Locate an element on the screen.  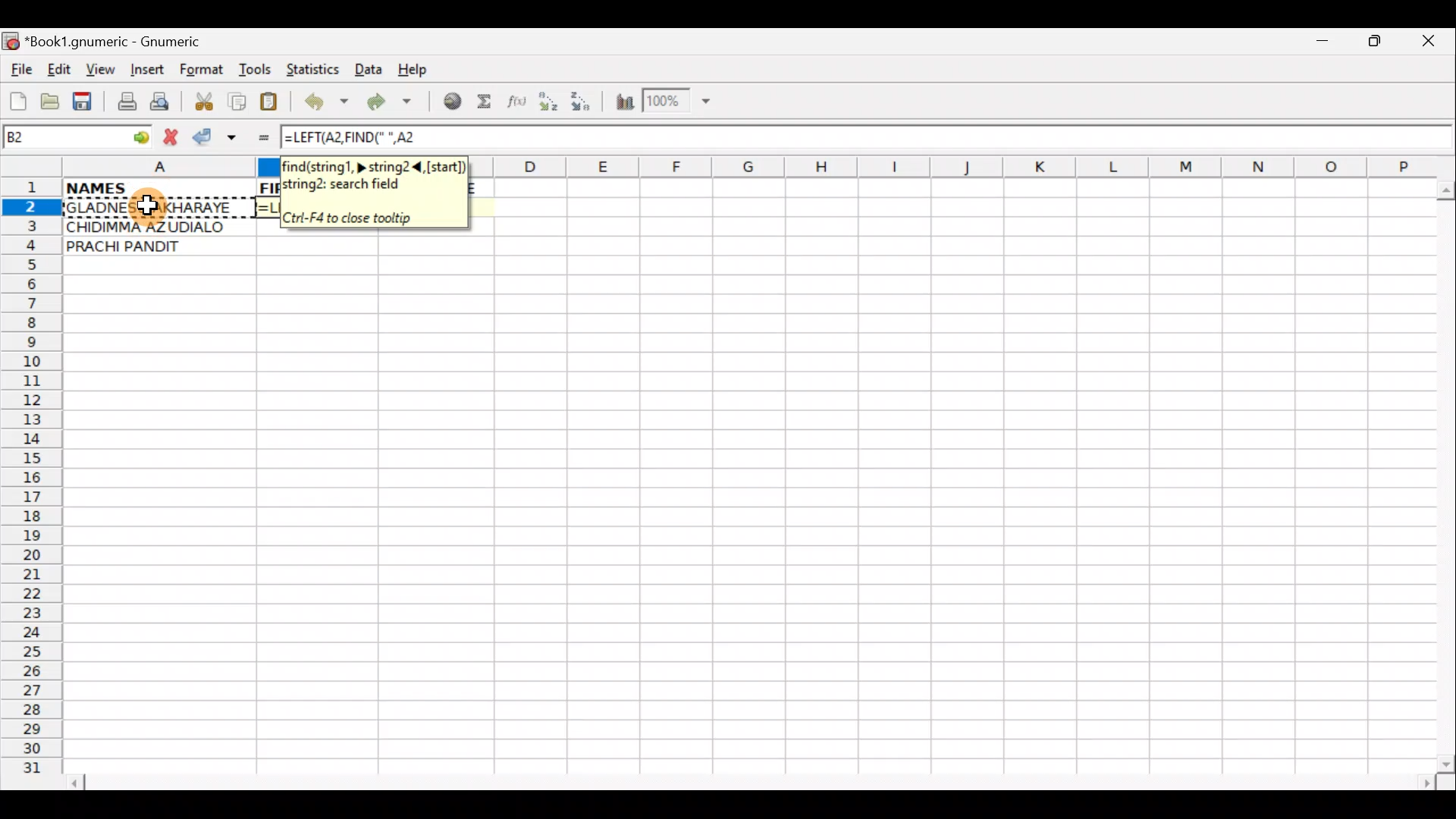
CHIDIMMA AZUDIALO is located at coordinates (156, 227).